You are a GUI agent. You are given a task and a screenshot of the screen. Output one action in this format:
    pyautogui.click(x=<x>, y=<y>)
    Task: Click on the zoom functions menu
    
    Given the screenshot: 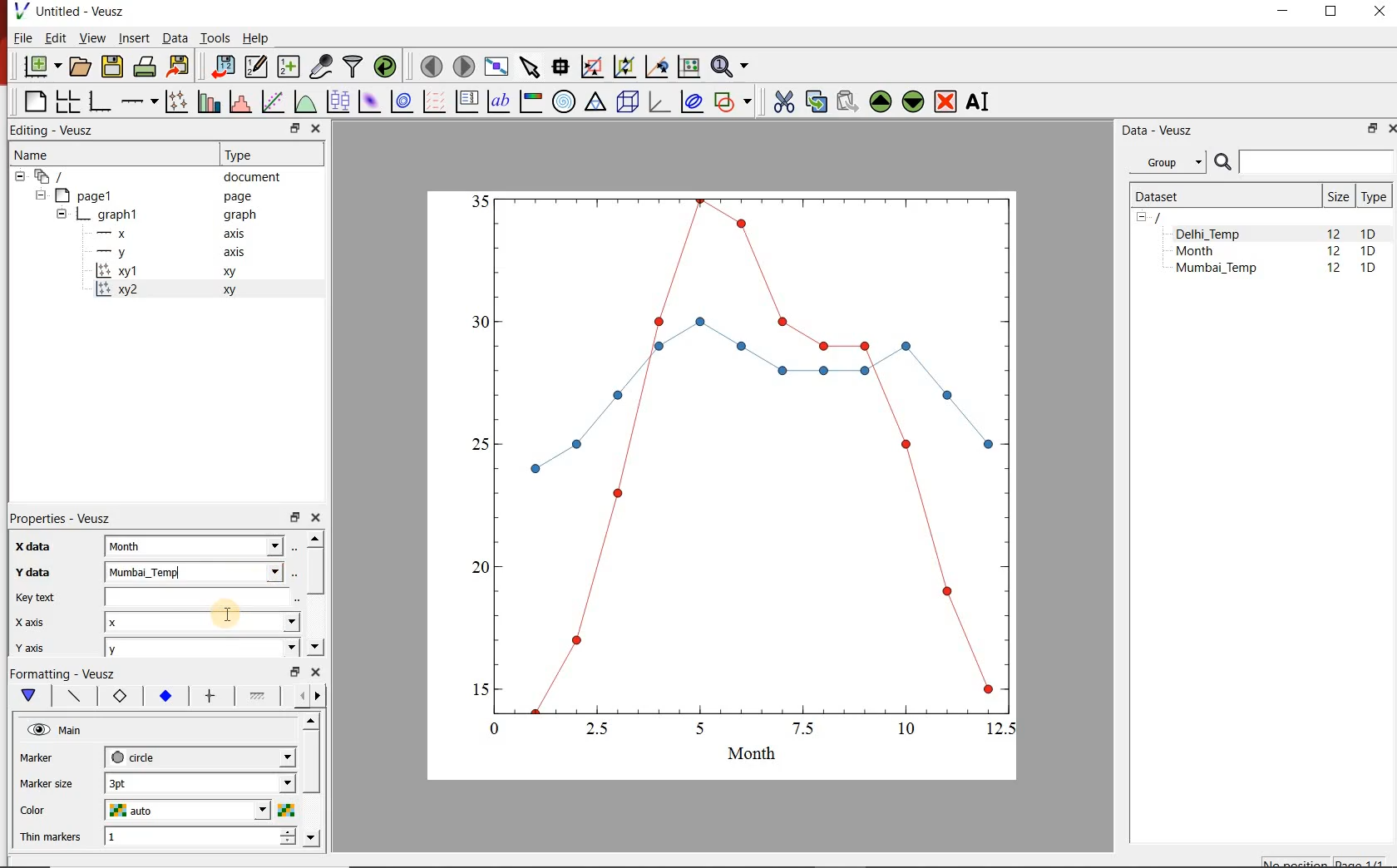 What is the action you would take?
    pyautogui.click(x=732, y=67)
    